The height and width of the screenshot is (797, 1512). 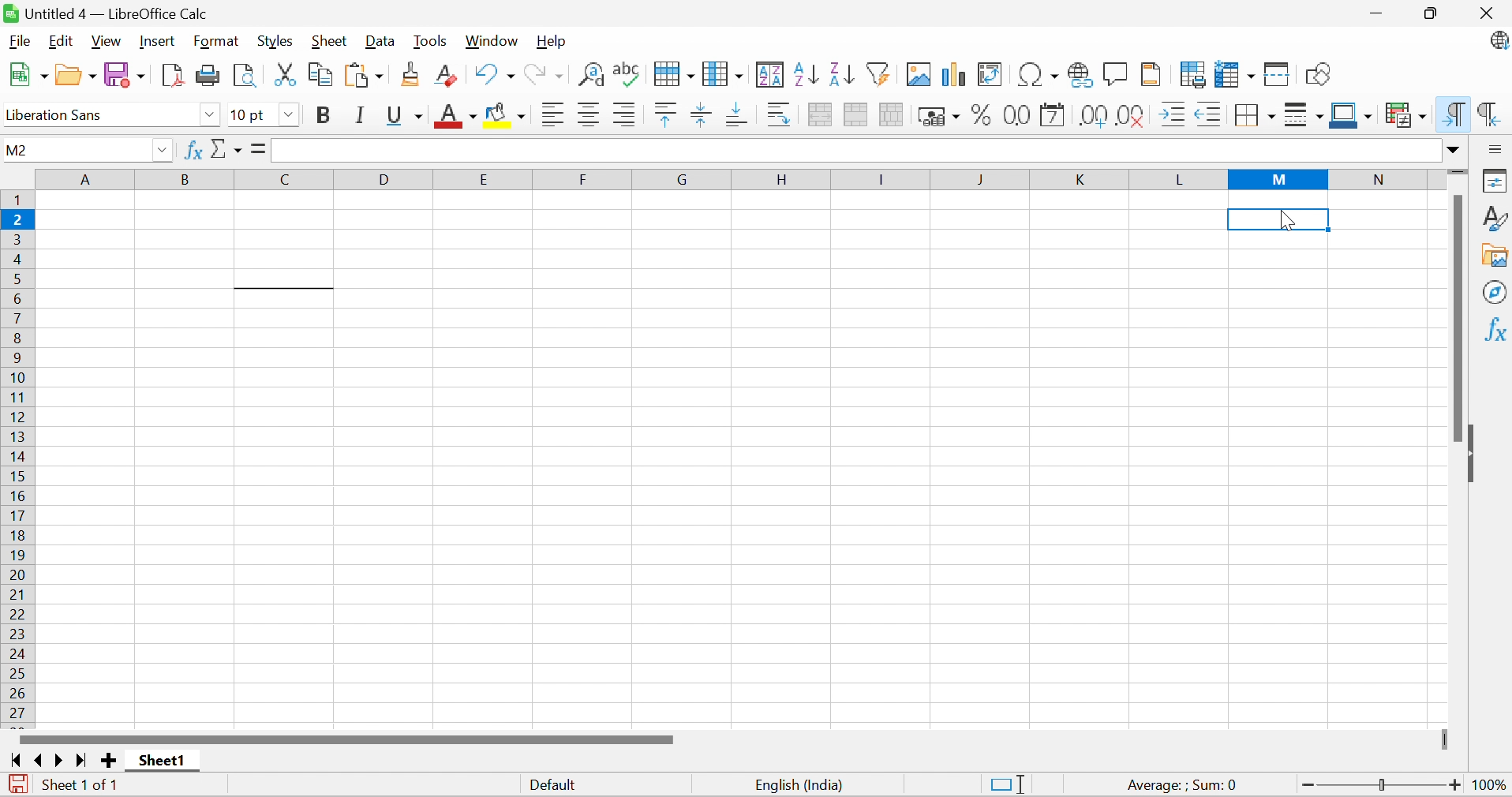 I want to click on Spelling, so click(x=628, y=75).